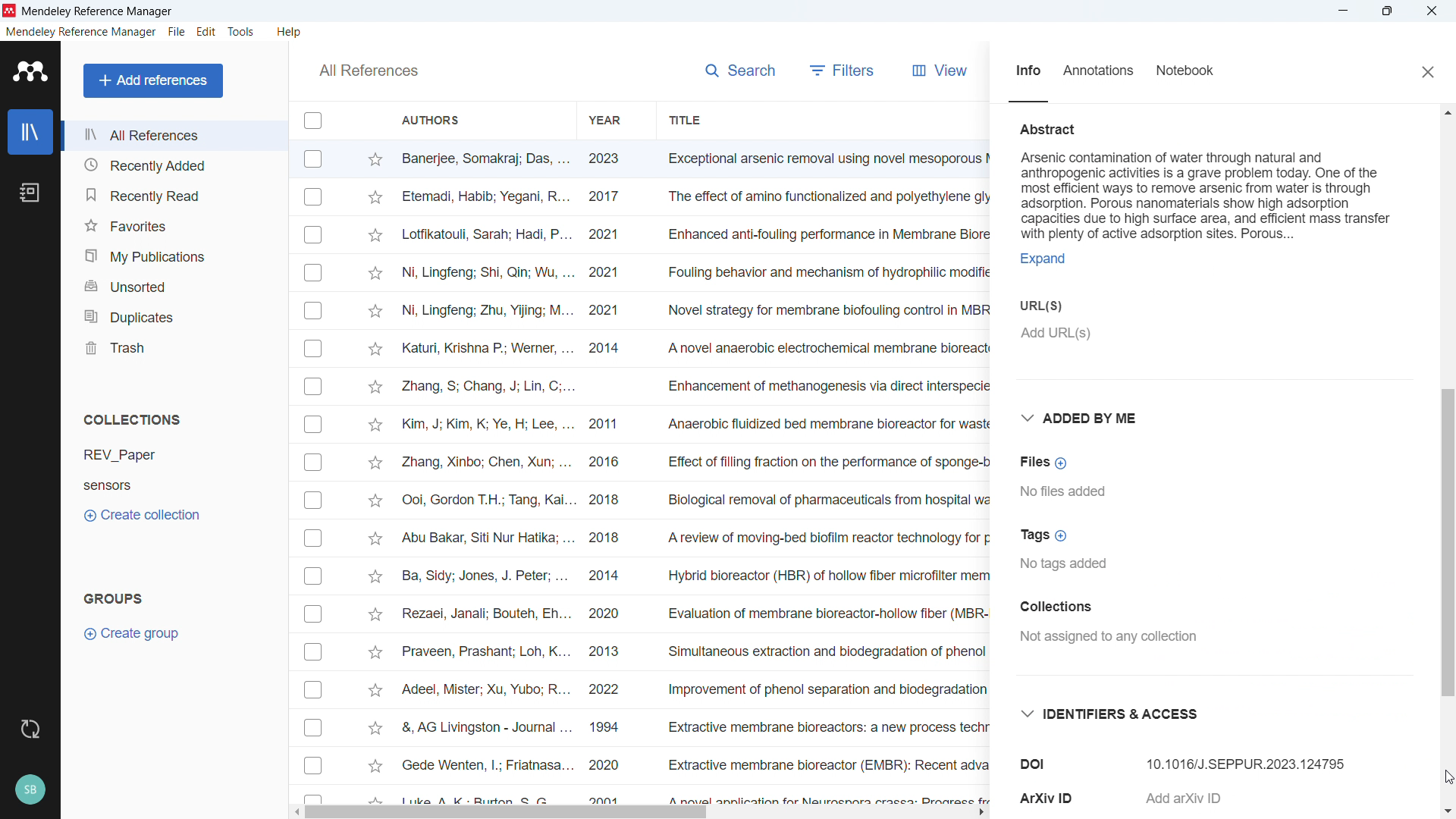 This screenshot has width=1456, height=819. What do you see at coordinates (825, 651) in the screenshot?
I see `simultaneous extraction and biodegradation of phenol in a hollow fiber support` at bounding box center [825, 651].